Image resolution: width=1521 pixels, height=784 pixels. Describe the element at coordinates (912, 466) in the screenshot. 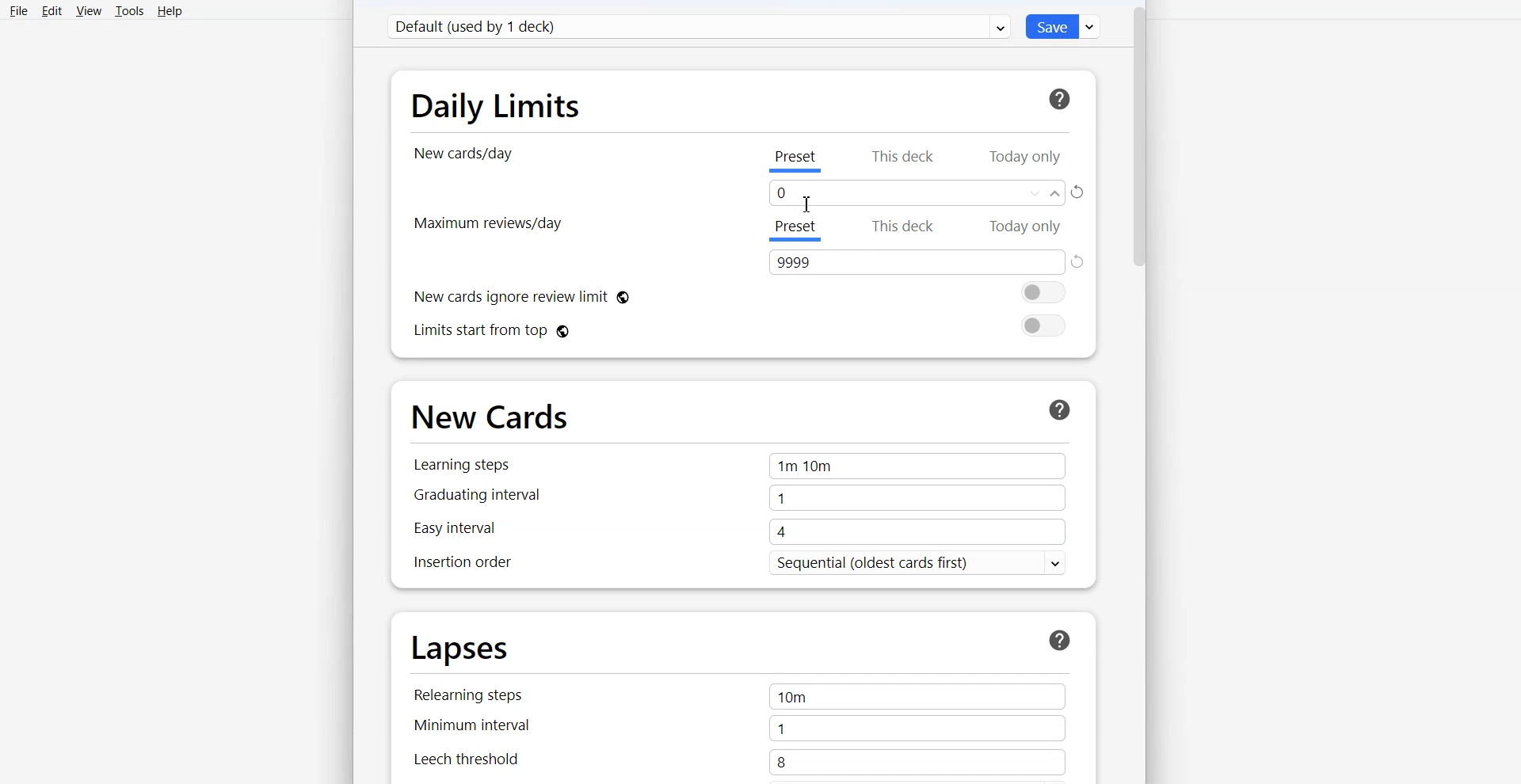

I see `1m 10m` at that location.